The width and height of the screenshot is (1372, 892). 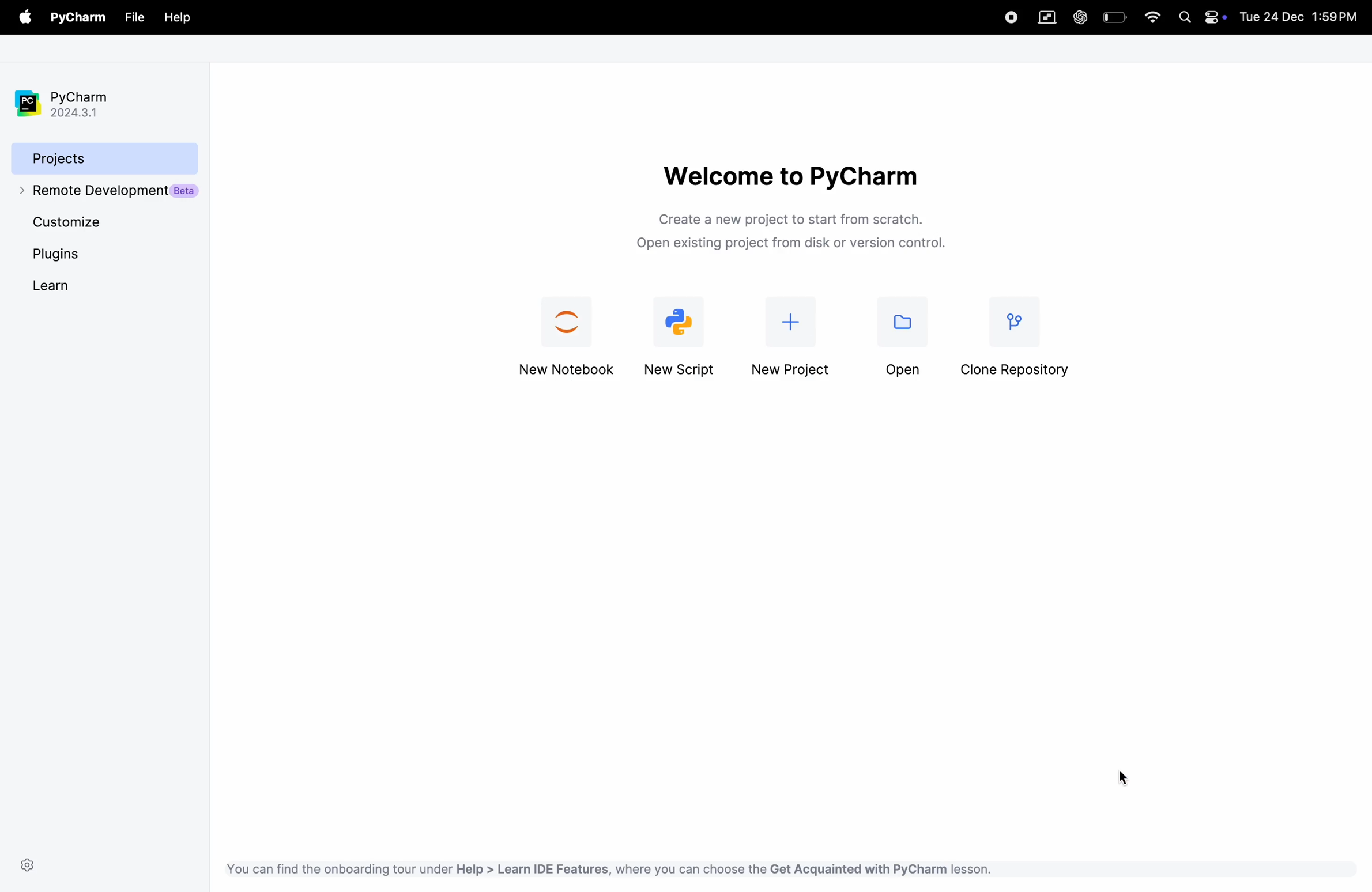 I want to click on chatgpt, so click(x=1081, y=14).